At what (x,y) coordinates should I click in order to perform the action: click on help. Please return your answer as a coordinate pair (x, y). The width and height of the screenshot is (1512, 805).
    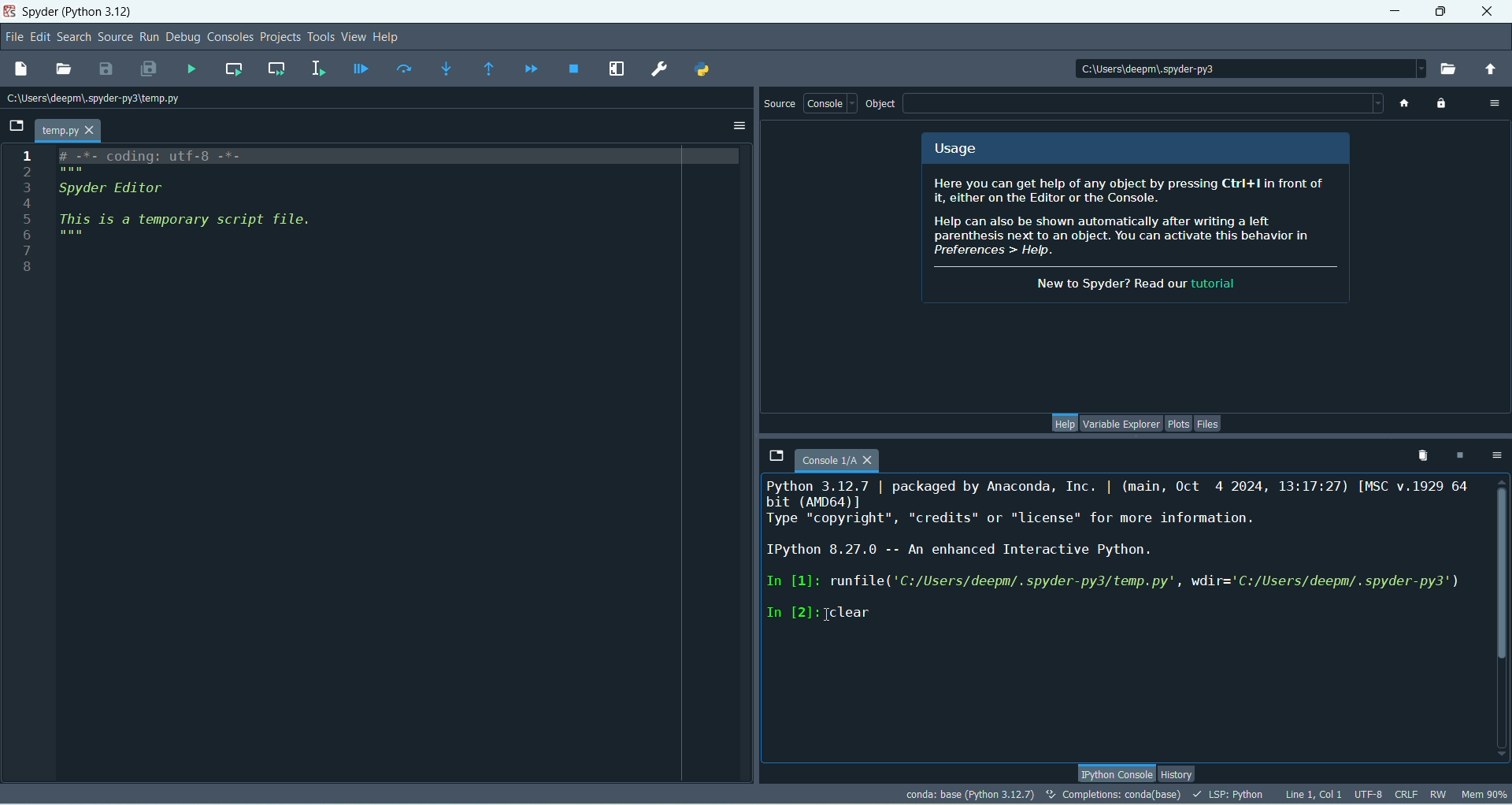
    Looking at the image, I should click on (1062, 421).